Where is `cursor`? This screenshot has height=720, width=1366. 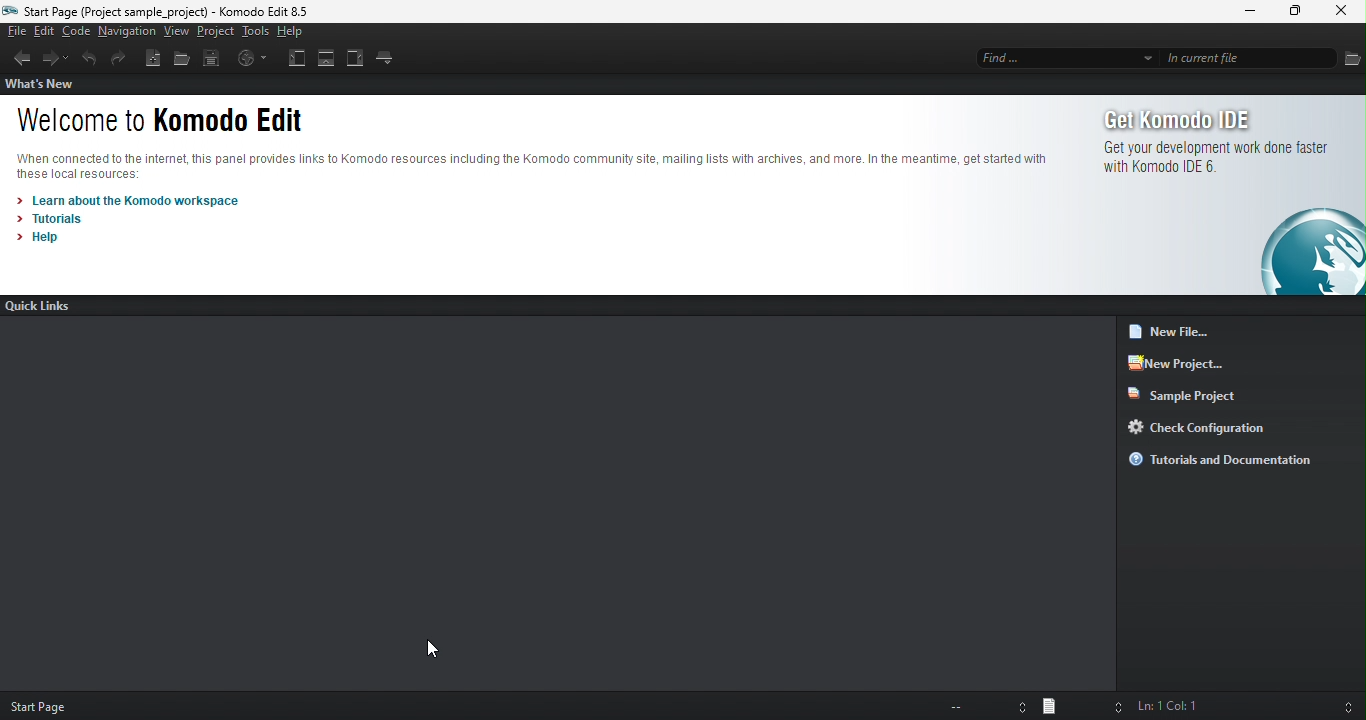 cursor is located at coordinates (434, 649).